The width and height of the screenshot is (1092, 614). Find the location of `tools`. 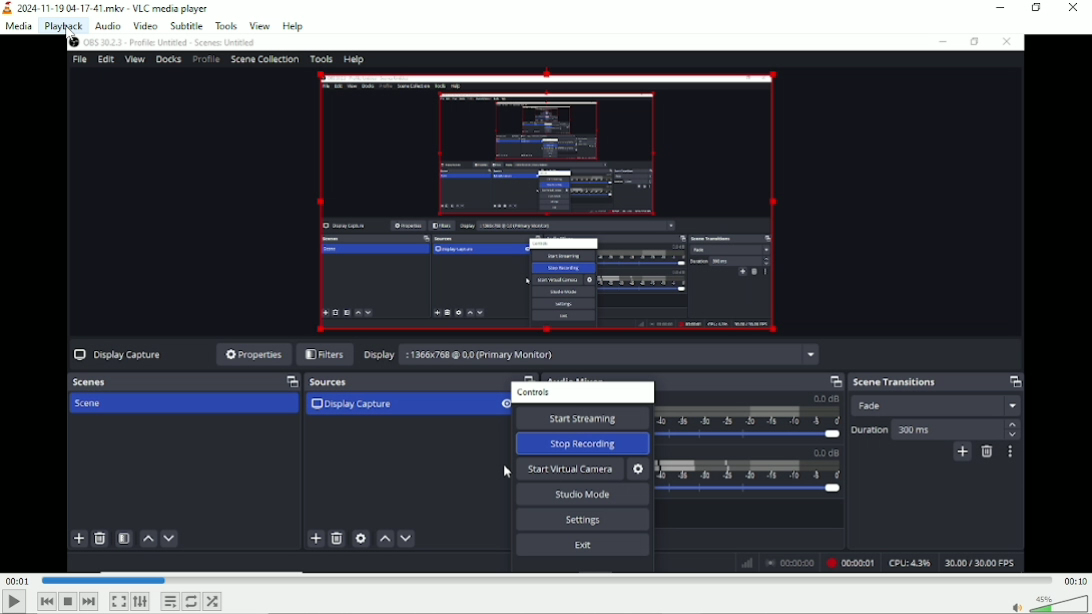

tools is located at coordinates (224, 25).